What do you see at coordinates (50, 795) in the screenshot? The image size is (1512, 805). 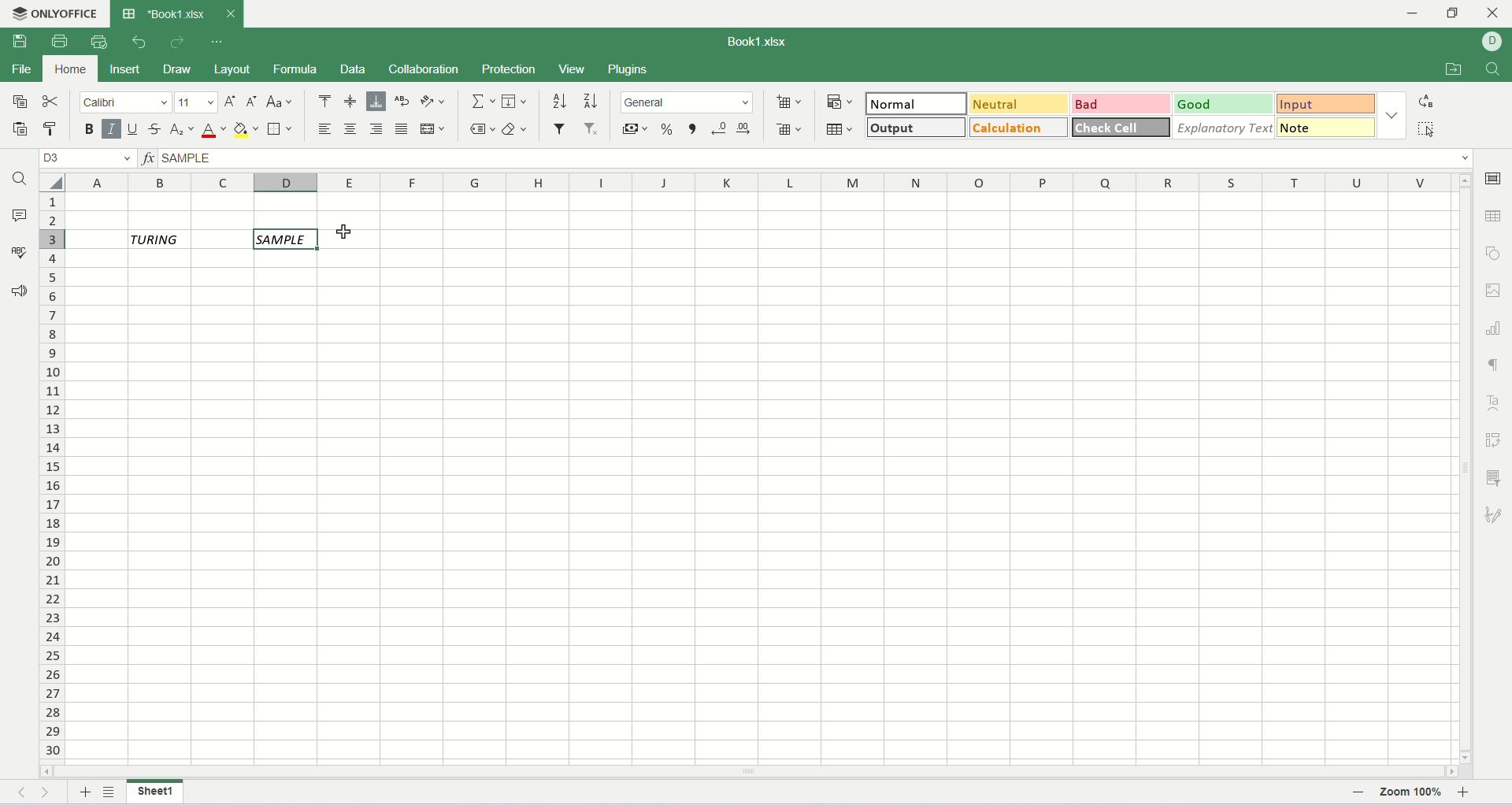 I see `next` at bounding box center [50, 795].